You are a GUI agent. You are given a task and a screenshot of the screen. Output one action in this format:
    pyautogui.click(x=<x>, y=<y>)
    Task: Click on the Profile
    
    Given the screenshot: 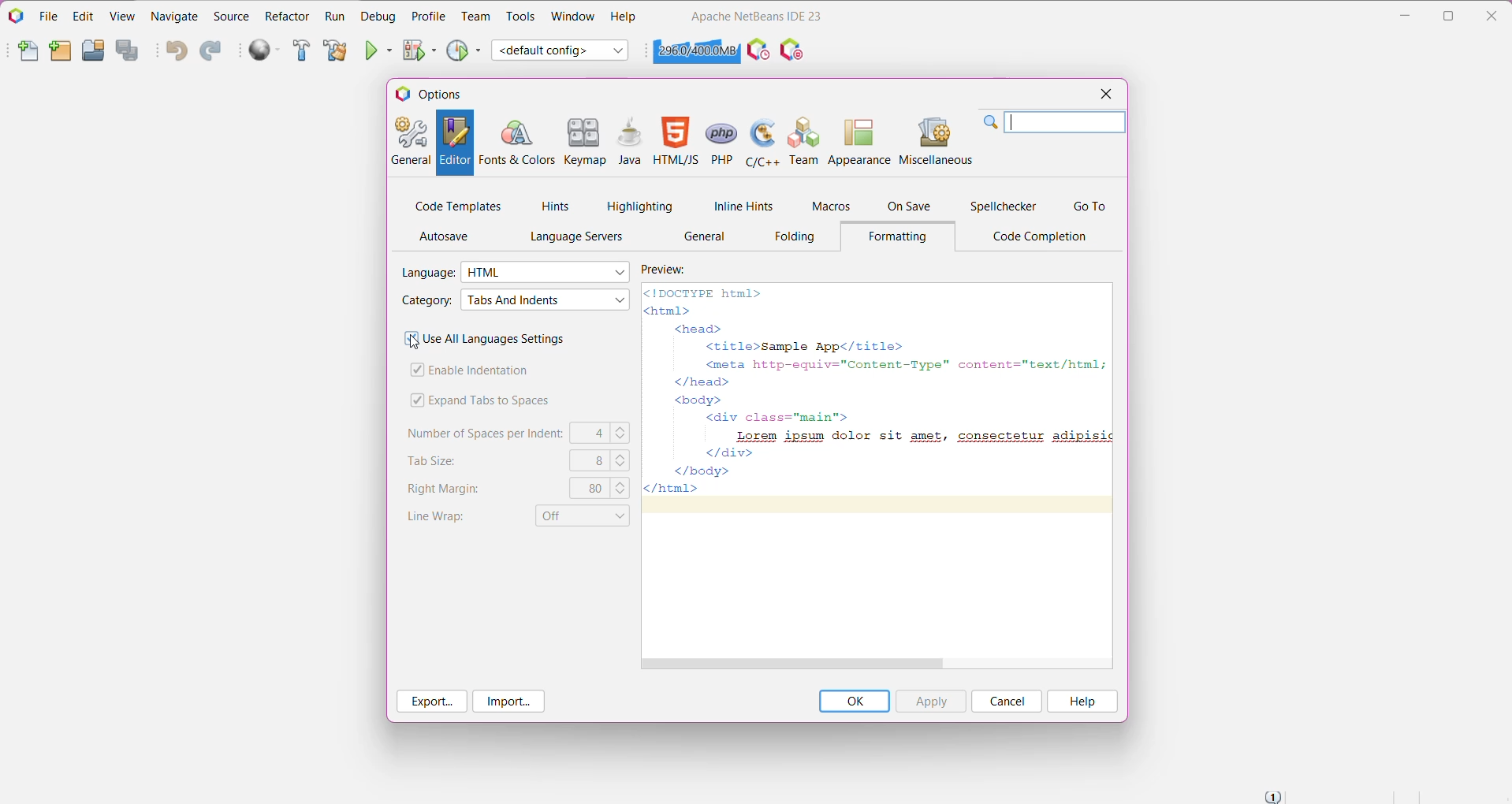 What is the action you would take?
    pyautogui.click(x=429, y=16)
    